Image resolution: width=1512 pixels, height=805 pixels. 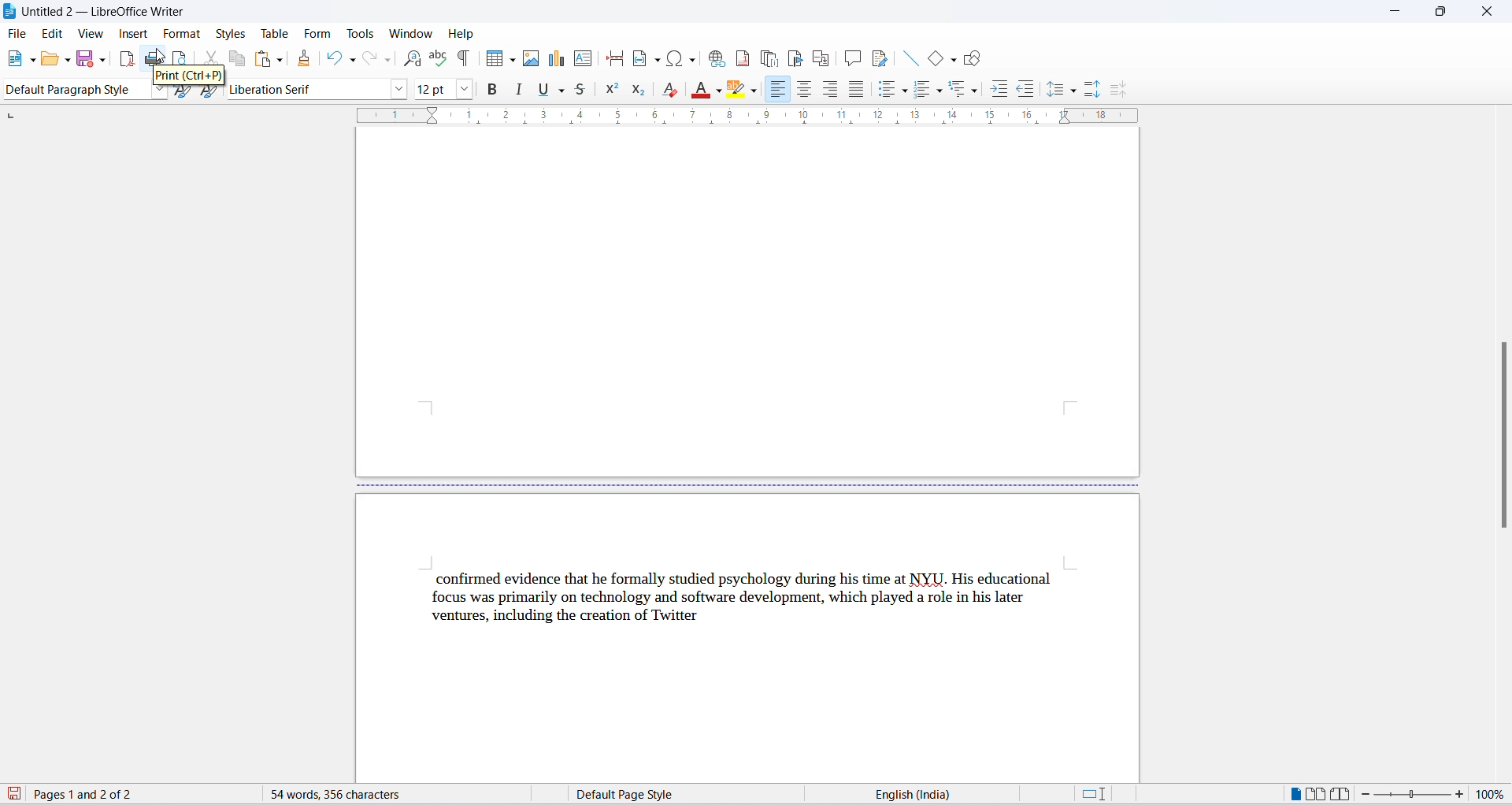 What do you see at coordinates (980, 94) in the screenshot?
I see `select outline options` at bounding box center [980, 94].